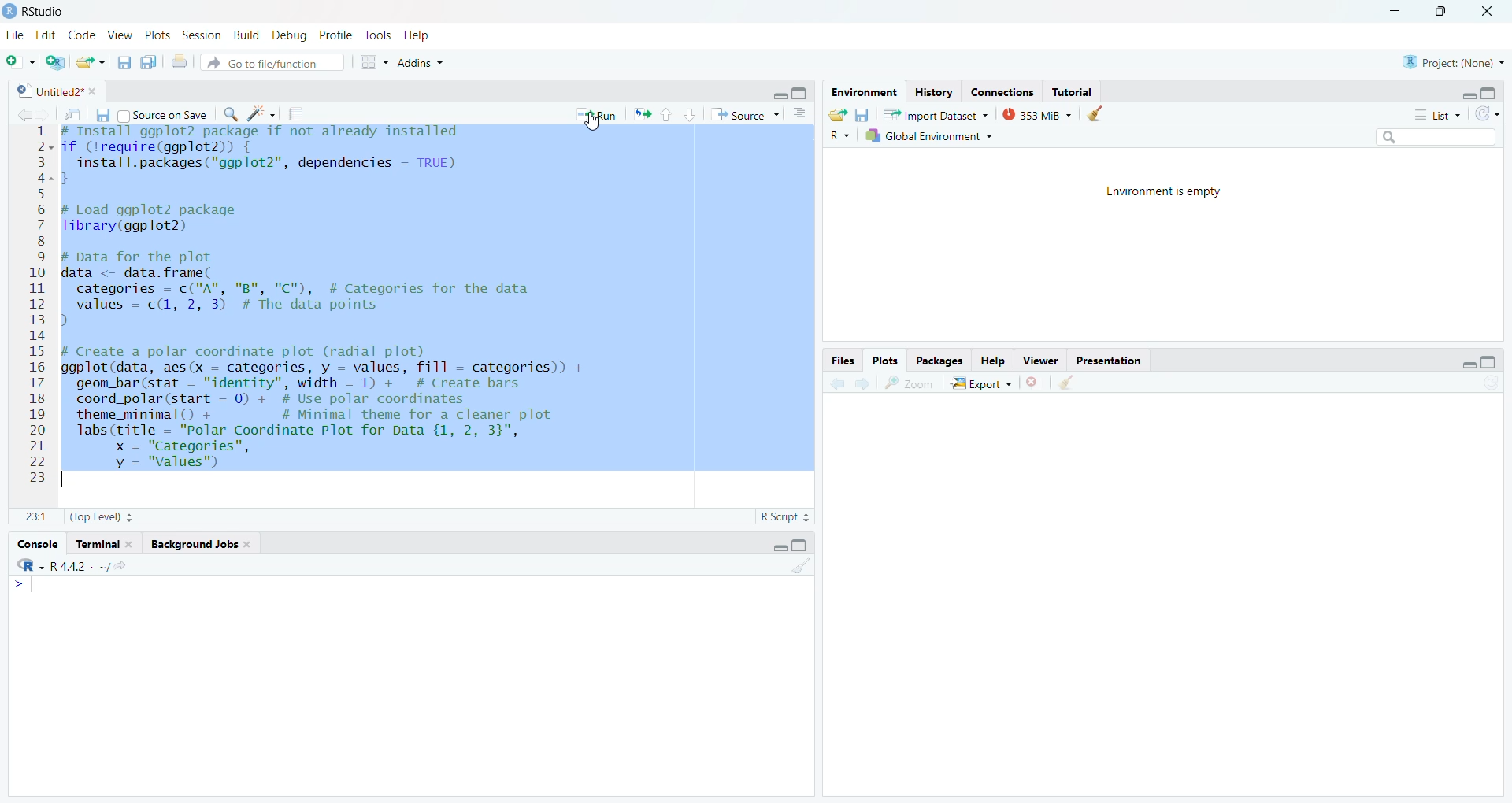  I want to click on clear current plots, so click(1036, 381).